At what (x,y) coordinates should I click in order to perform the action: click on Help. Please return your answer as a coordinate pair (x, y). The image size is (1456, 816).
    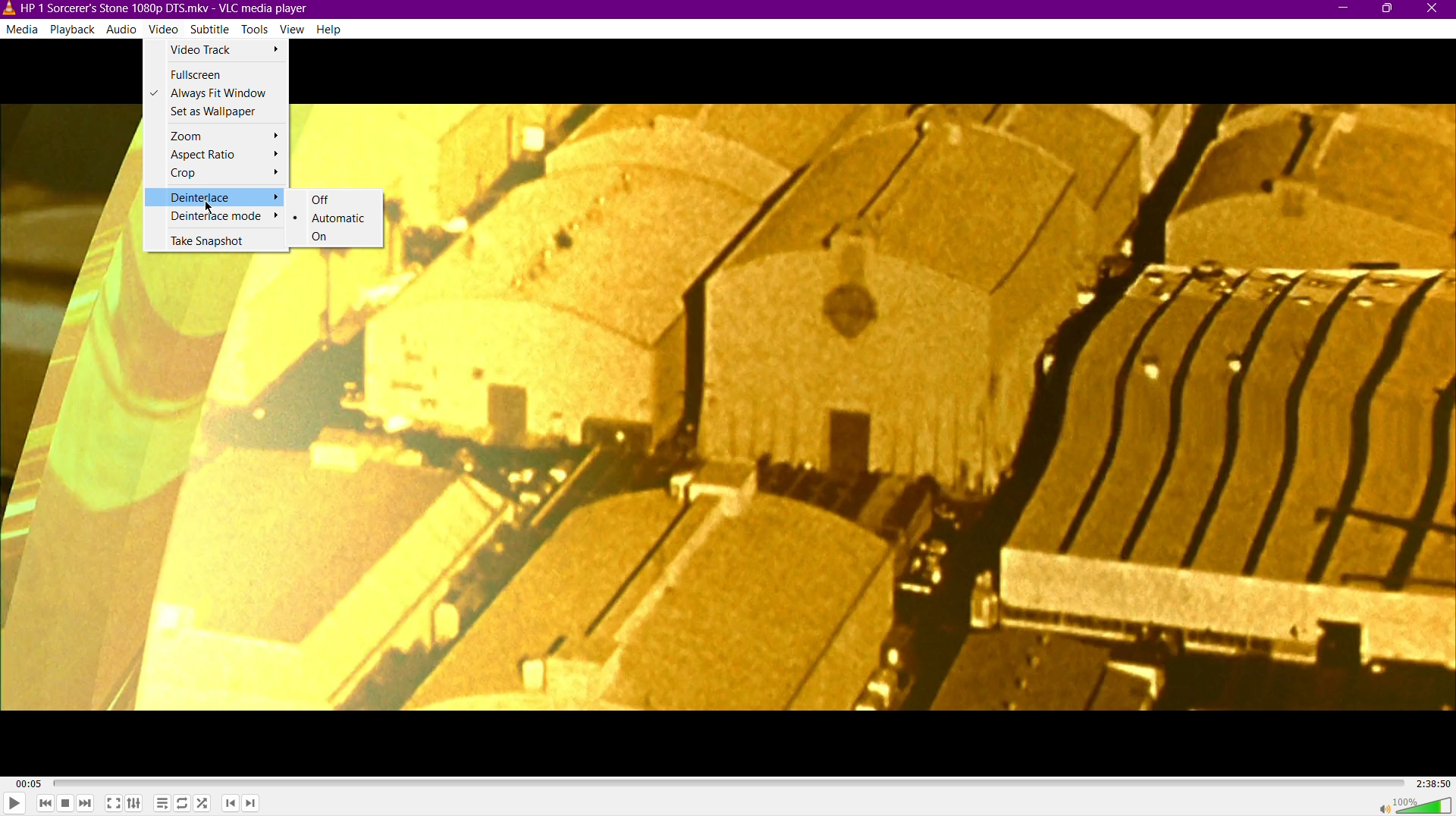
    Looking at the image, I should click on (330, 29).